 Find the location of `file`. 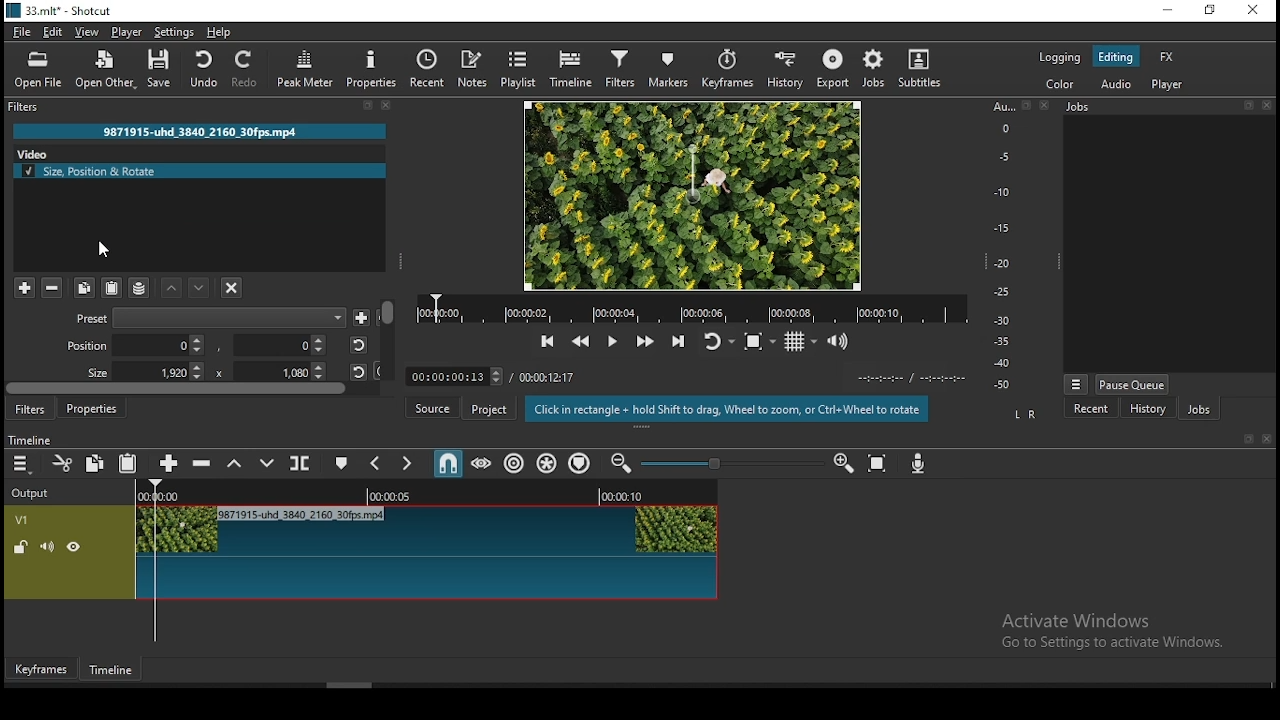

file is located at coordinates (19, 31).